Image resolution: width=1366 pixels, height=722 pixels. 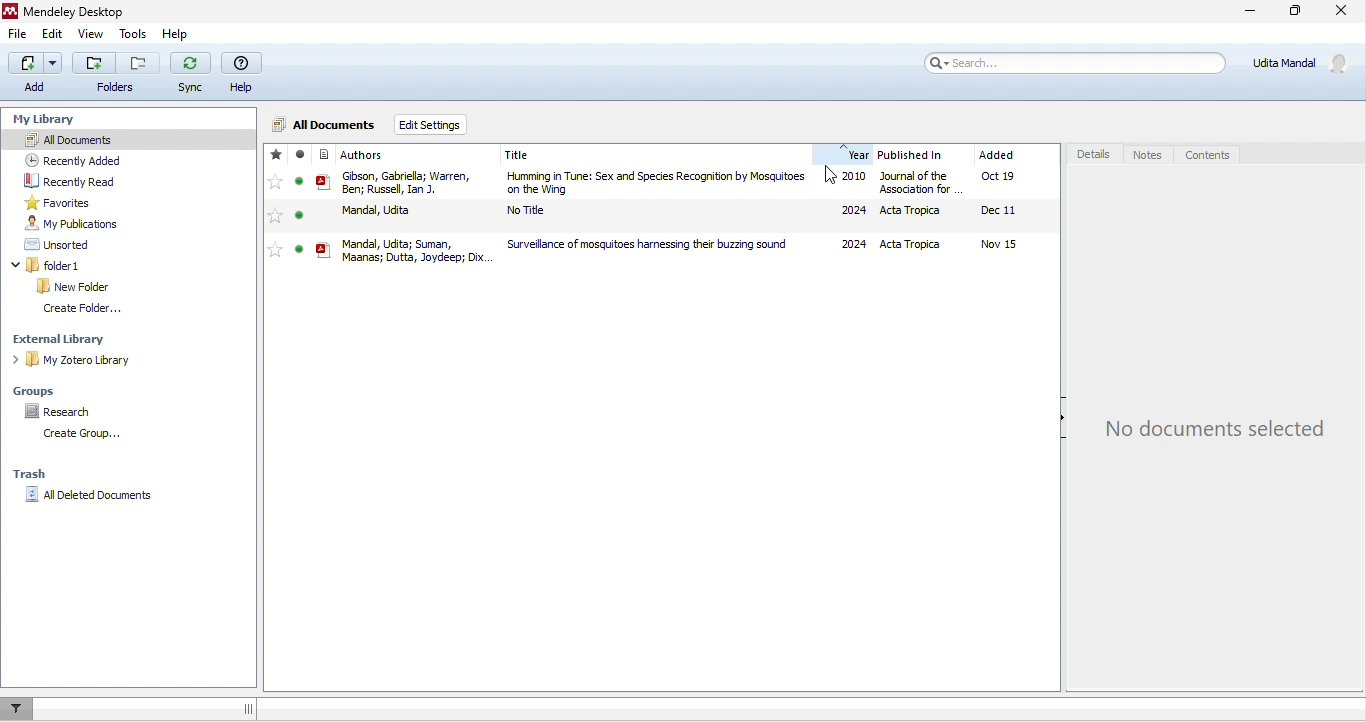 What do you see at coordinates (75, 435) in the screenshot?
I see `create group` at bounding box center [75, 435].